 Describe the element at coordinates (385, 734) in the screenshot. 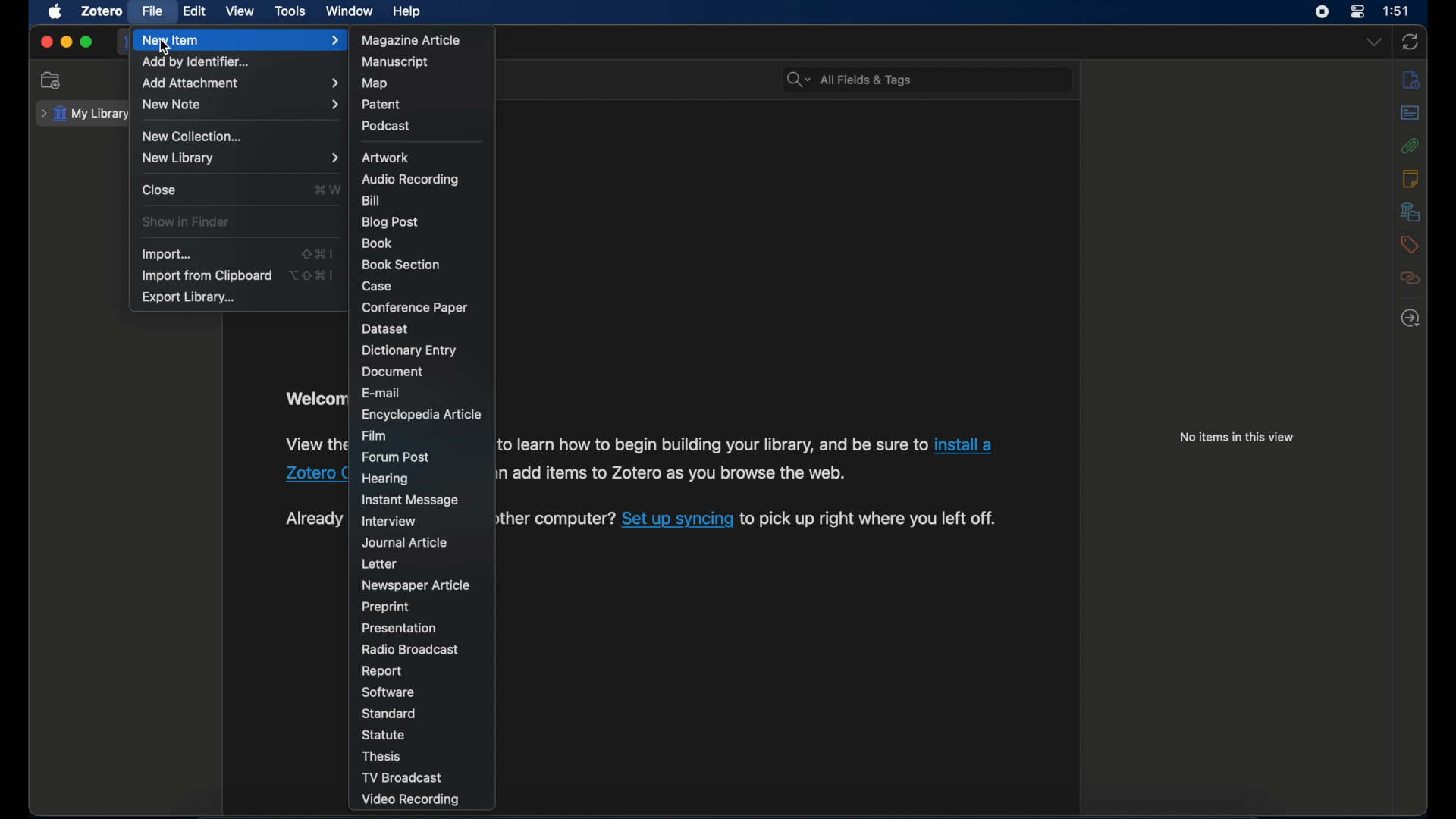

I see `statue` at that location.